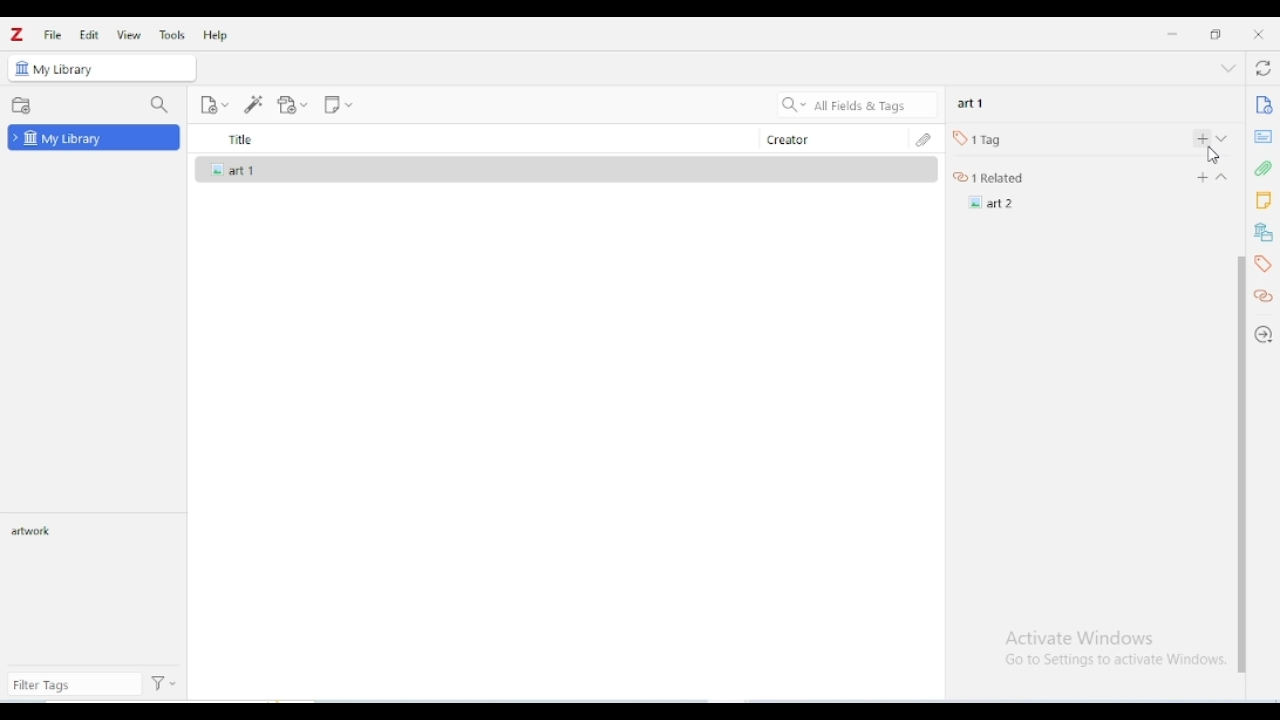  I want to click on Pointer Cursor, so click(1216, 158).